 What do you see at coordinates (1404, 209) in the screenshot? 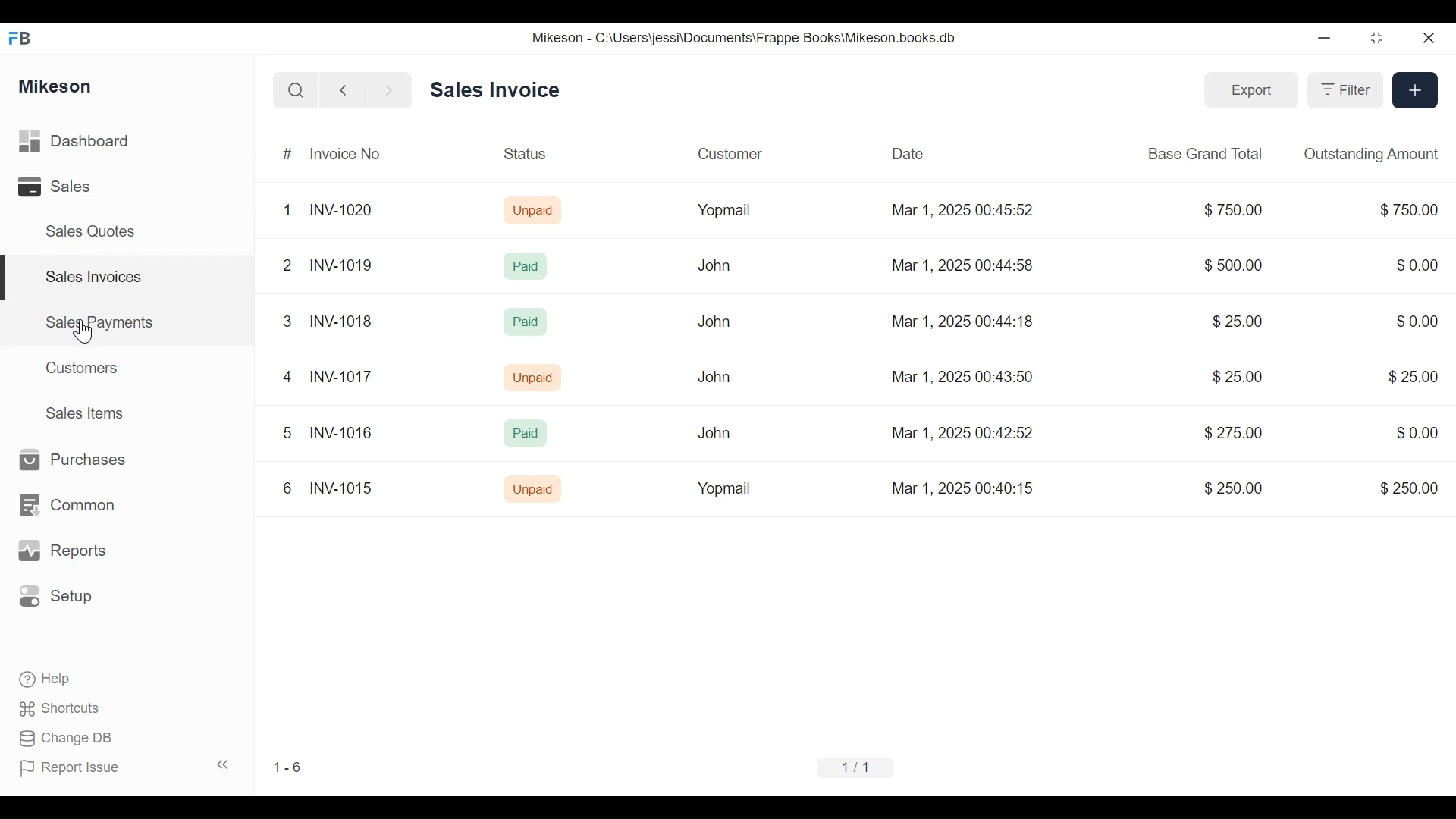
I see `750` at bounding box center [1404, 209].